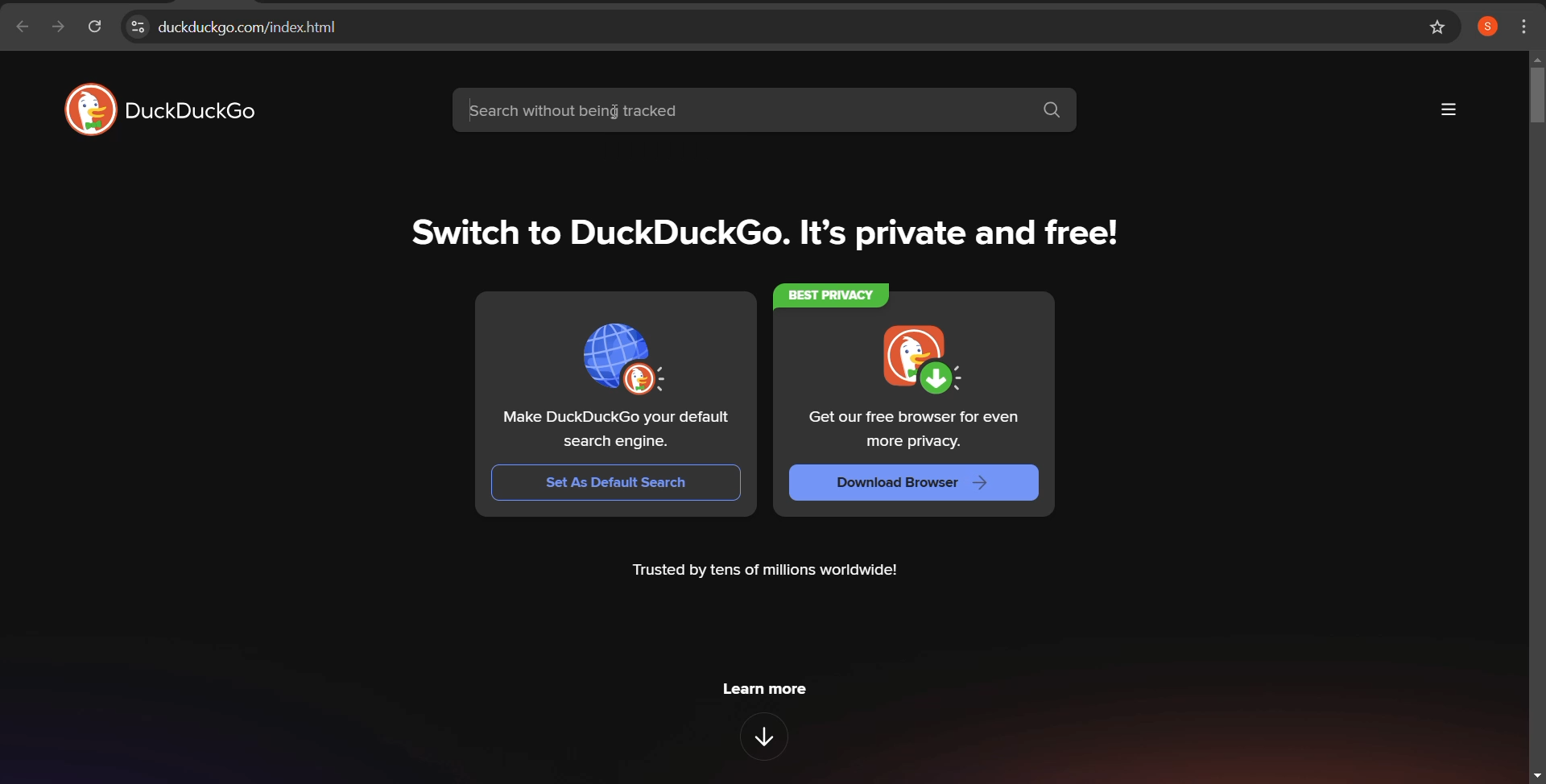  Describe the element at coordinates (617, 345) in the screenshot. I see `set as default search` at that location.